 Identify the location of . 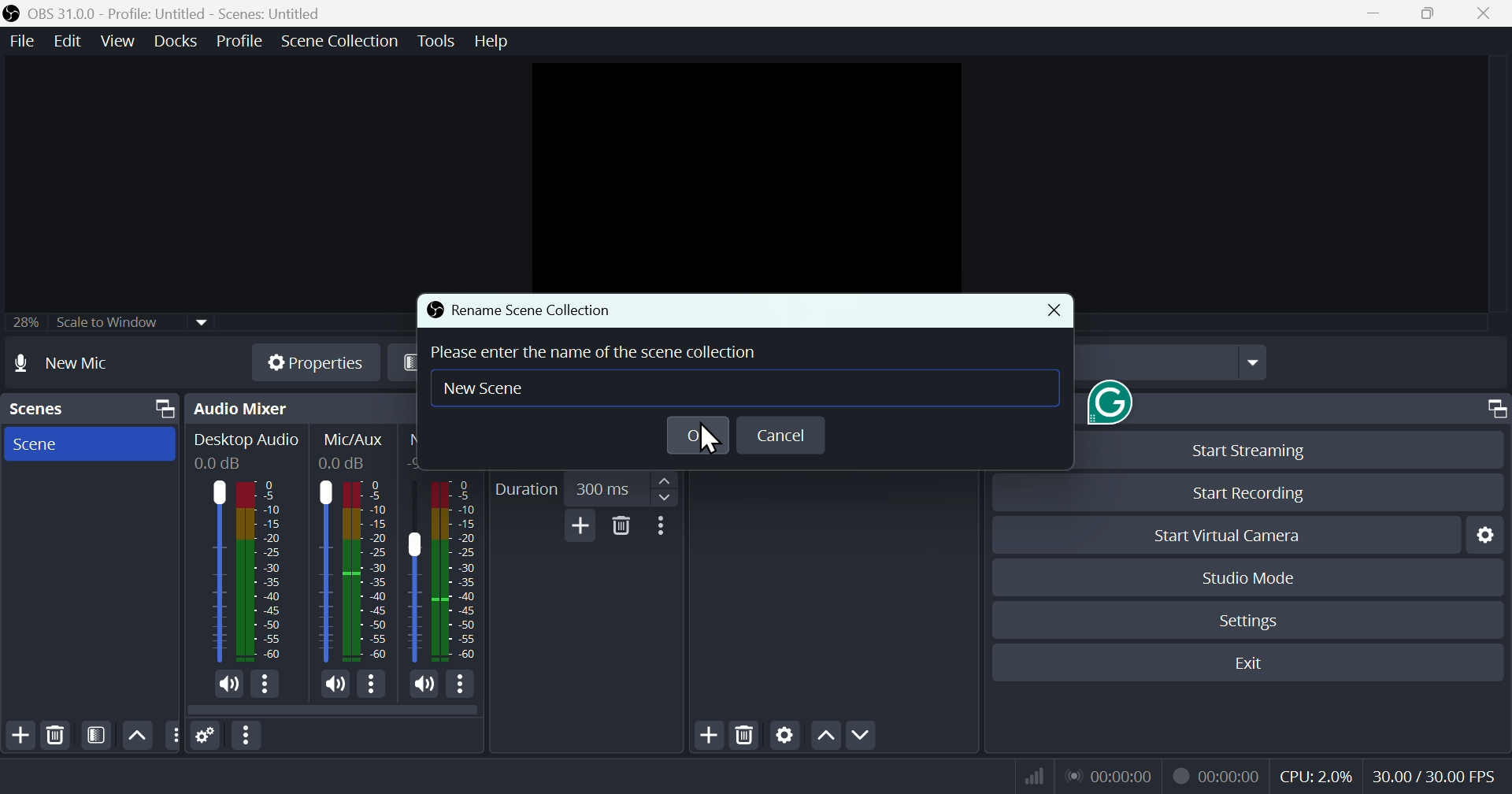
(174, 736).